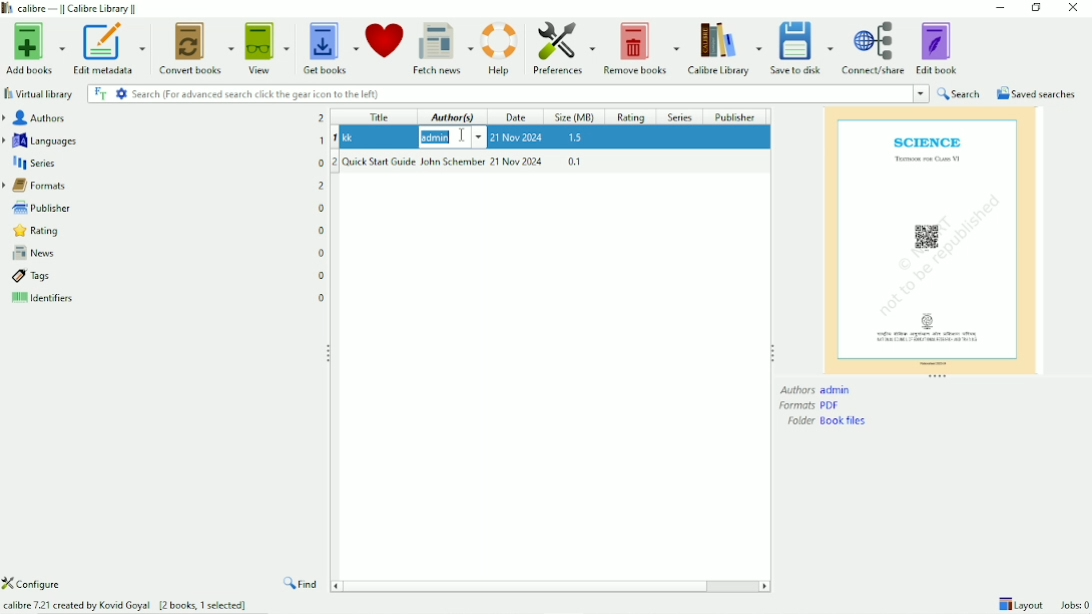 The image size is (1092, 614). Describe the element at coordinates (165, 232) in the screenshot. I see `Rating` at that location.